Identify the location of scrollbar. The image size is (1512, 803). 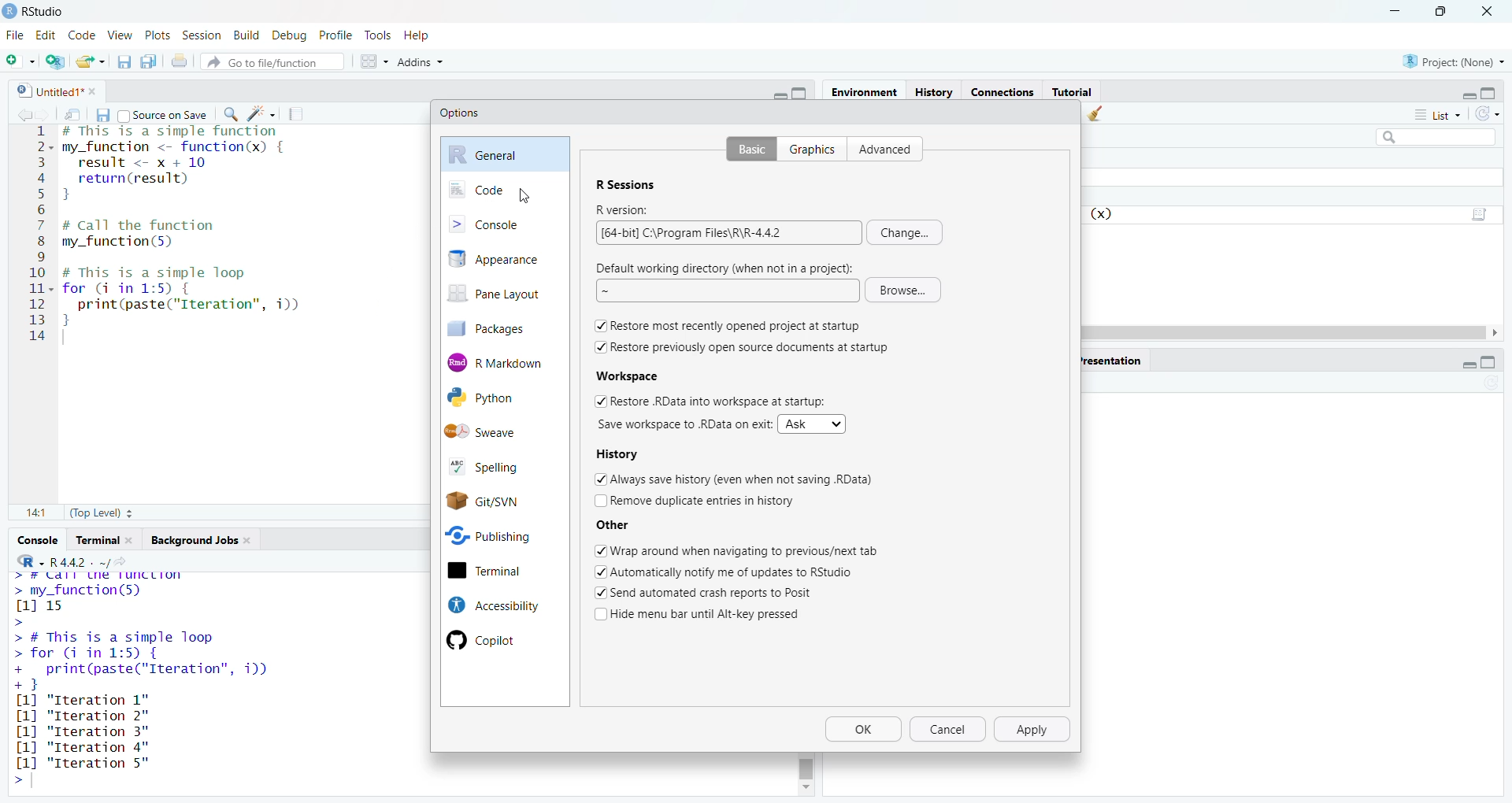
(807, 766).